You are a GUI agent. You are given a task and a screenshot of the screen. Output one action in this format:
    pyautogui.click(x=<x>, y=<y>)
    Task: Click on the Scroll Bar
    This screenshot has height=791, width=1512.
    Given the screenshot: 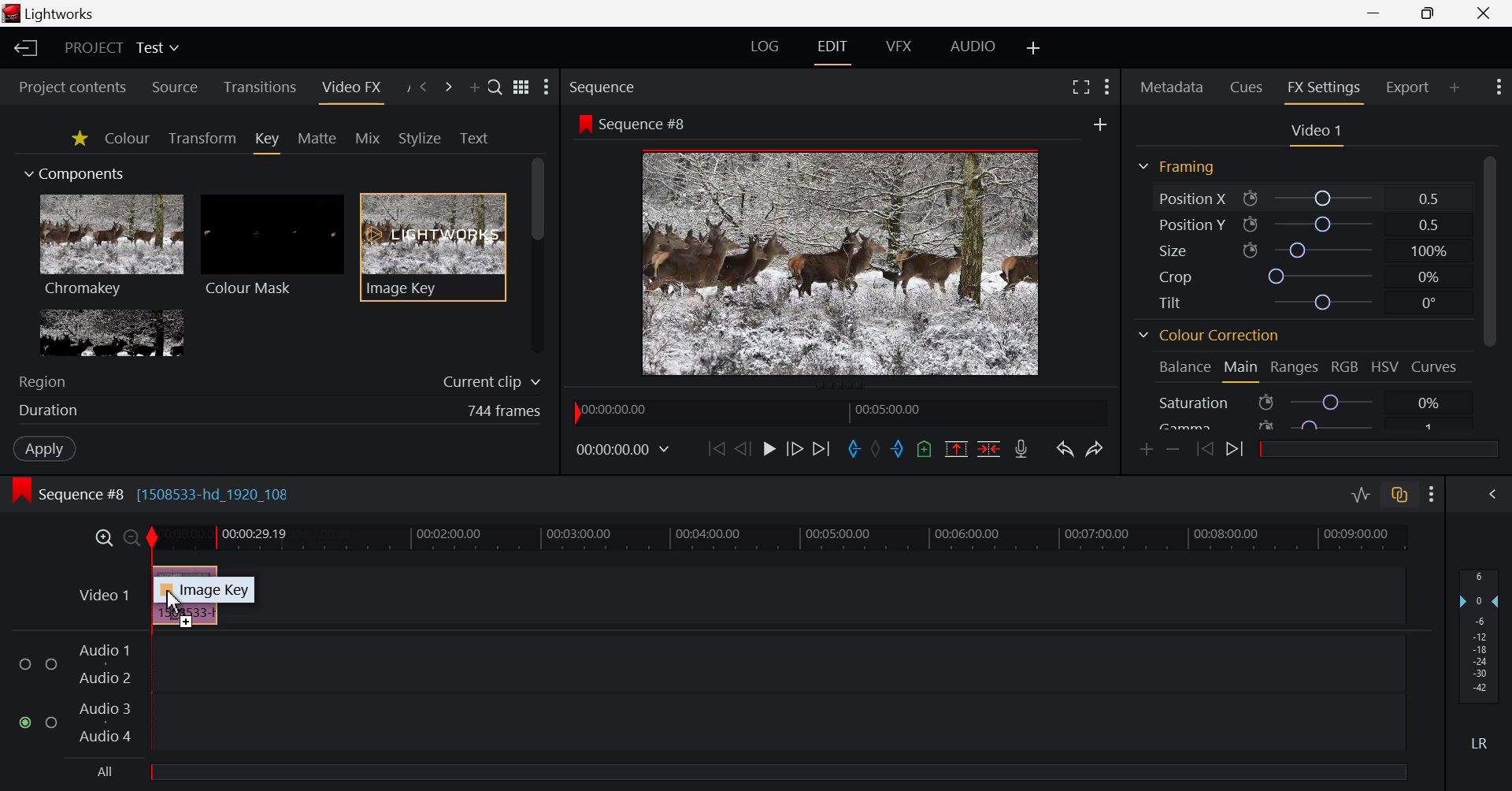 What is the action you would take?
    pyautogui.click(x=1488, y=287)
    